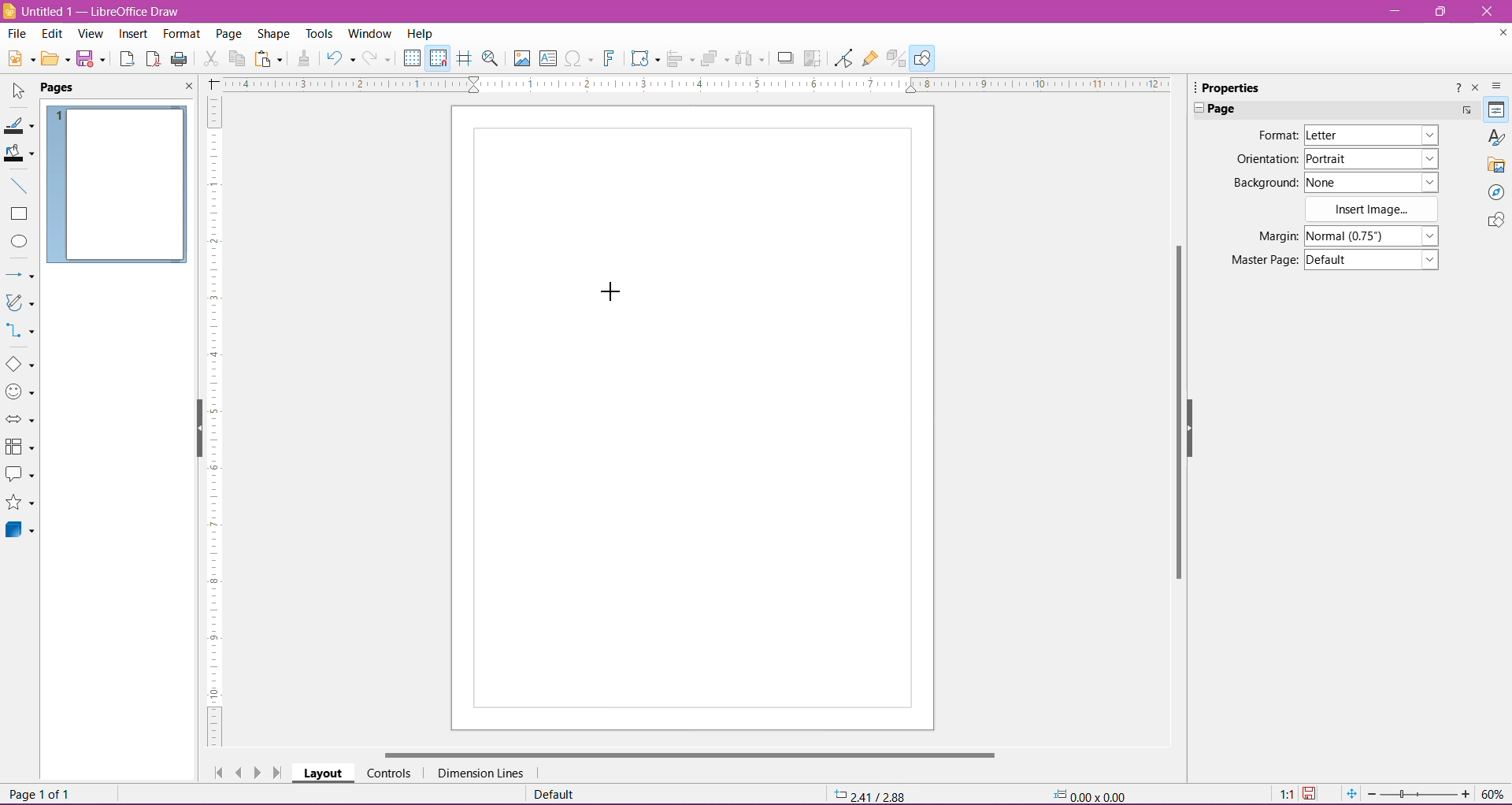 The height and width of the screenshot is (805, 1512). What do you see at coordinates (1495, 192) in the screenshot?
I see `Navigator` at bounding box center [1495, 192].